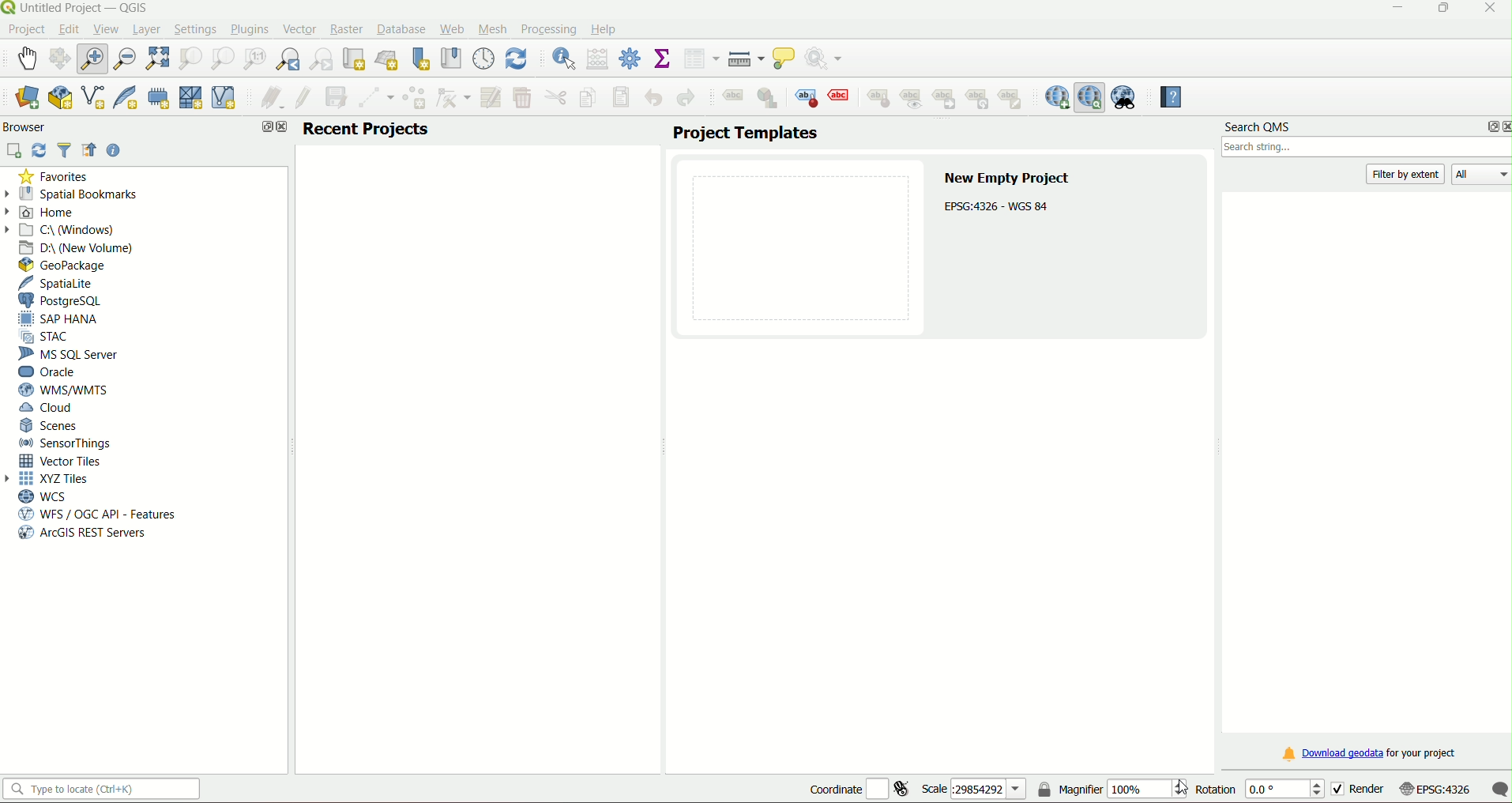 This screenshot has width=1512, height=803. I want to click on zoom to selection, so click(191, 58).